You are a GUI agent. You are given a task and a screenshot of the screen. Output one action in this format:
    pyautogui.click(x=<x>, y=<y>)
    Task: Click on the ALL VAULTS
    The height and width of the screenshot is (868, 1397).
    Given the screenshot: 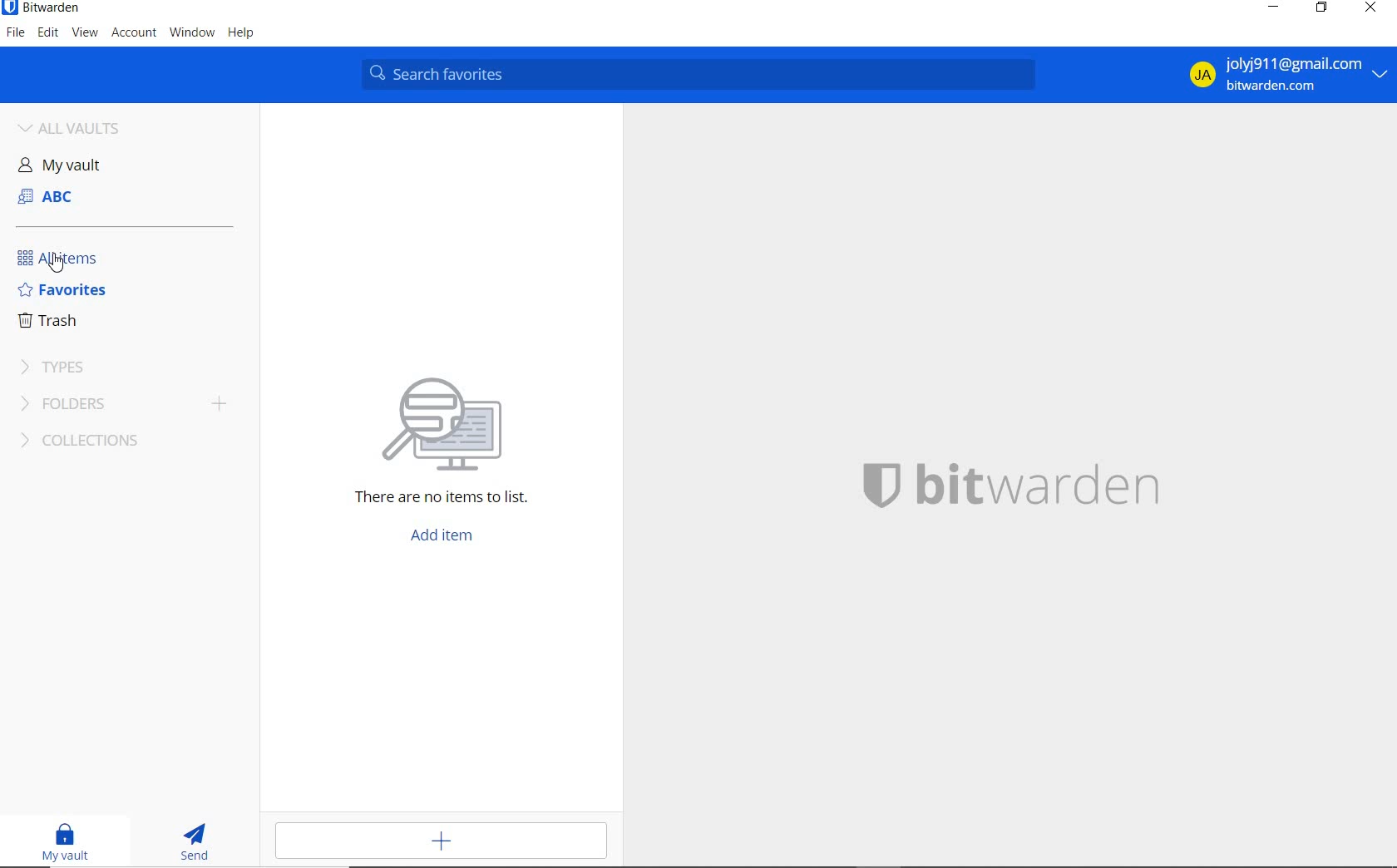 What is the action you would take?
    pyautogui.click(x=83, y=126)
    